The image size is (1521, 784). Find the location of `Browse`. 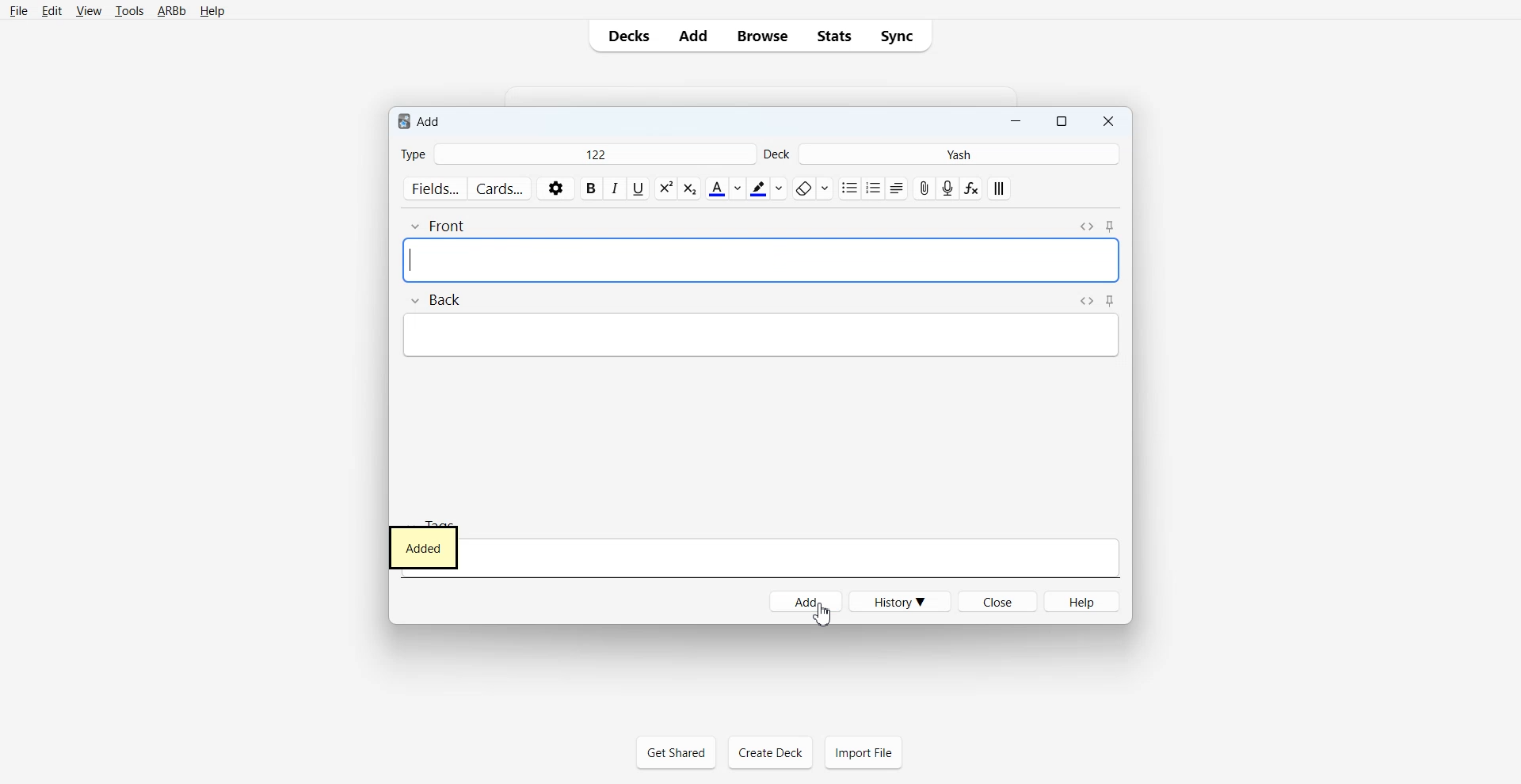

Browse is located at coordinates (761, 36).